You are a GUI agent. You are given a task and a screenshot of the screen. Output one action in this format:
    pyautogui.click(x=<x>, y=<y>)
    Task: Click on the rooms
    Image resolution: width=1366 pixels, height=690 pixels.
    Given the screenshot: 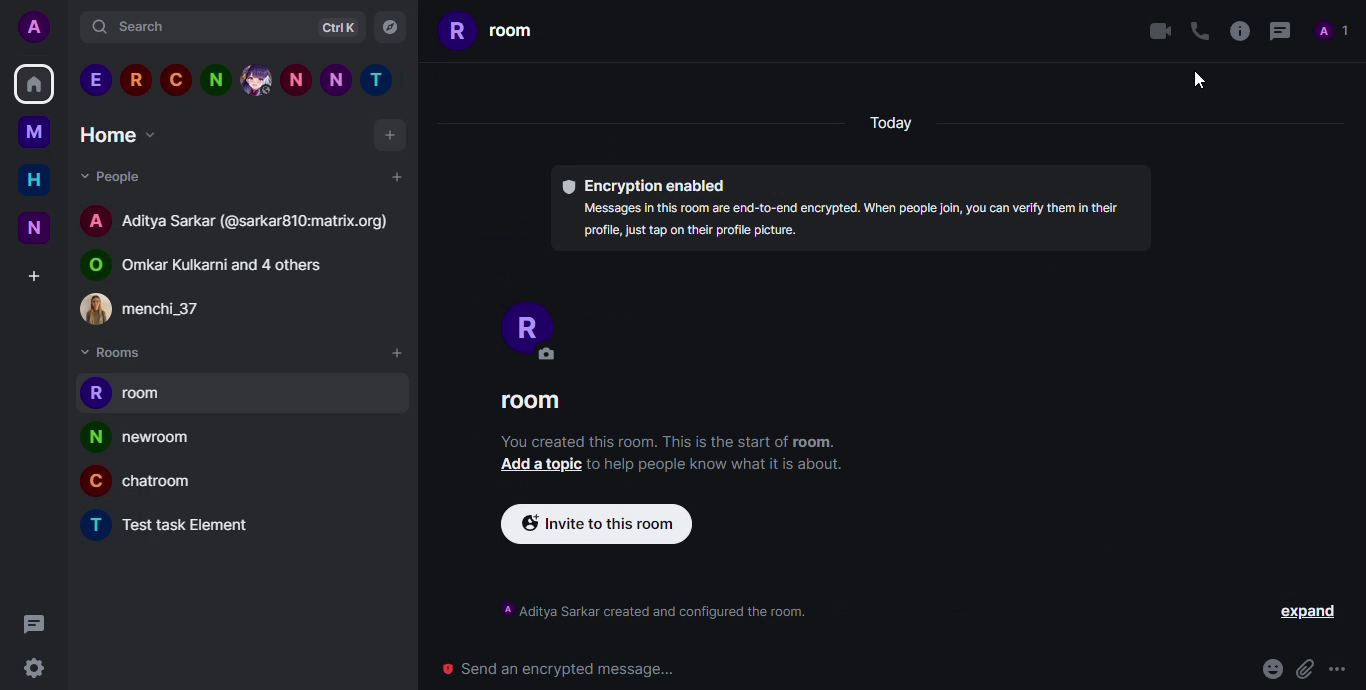 What is the action you would take?
    pyautogui.click(x=113, y=353)
    